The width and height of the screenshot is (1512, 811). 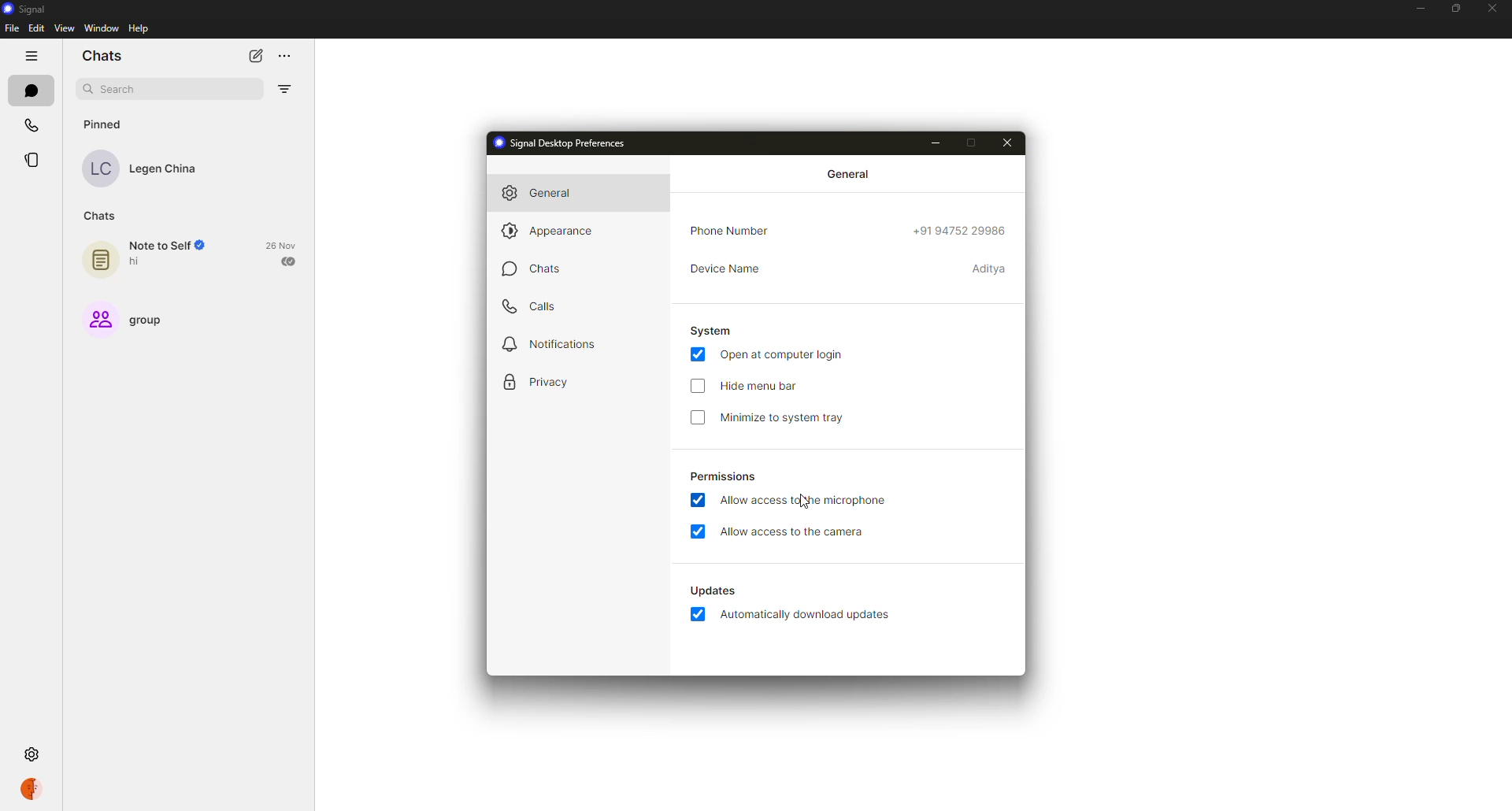 What do you see at coordinates (849, 174) in the screenshot?
I see `general` at bounding box center [849, 174].